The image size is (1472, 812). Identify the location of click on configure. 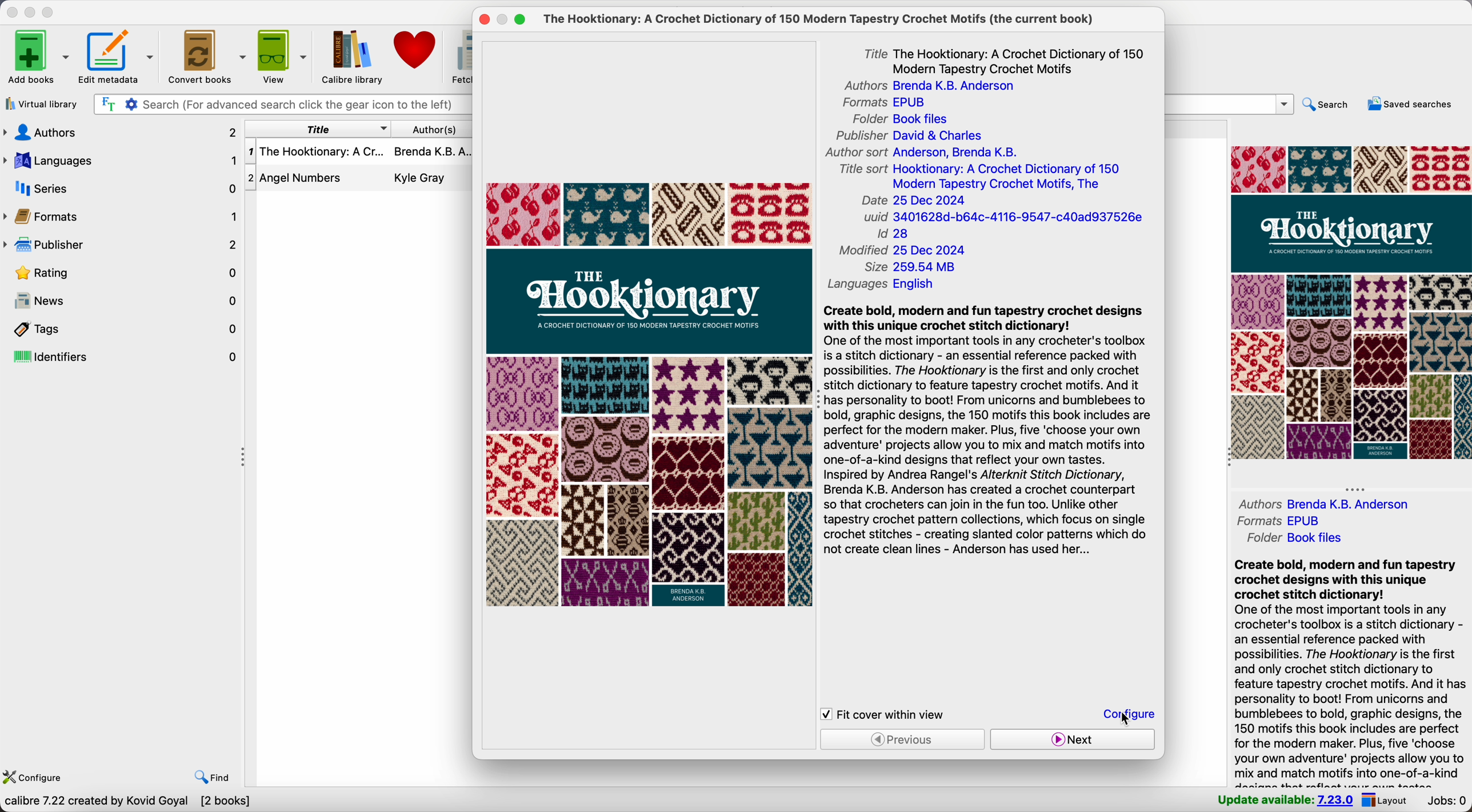
(1131, 715).